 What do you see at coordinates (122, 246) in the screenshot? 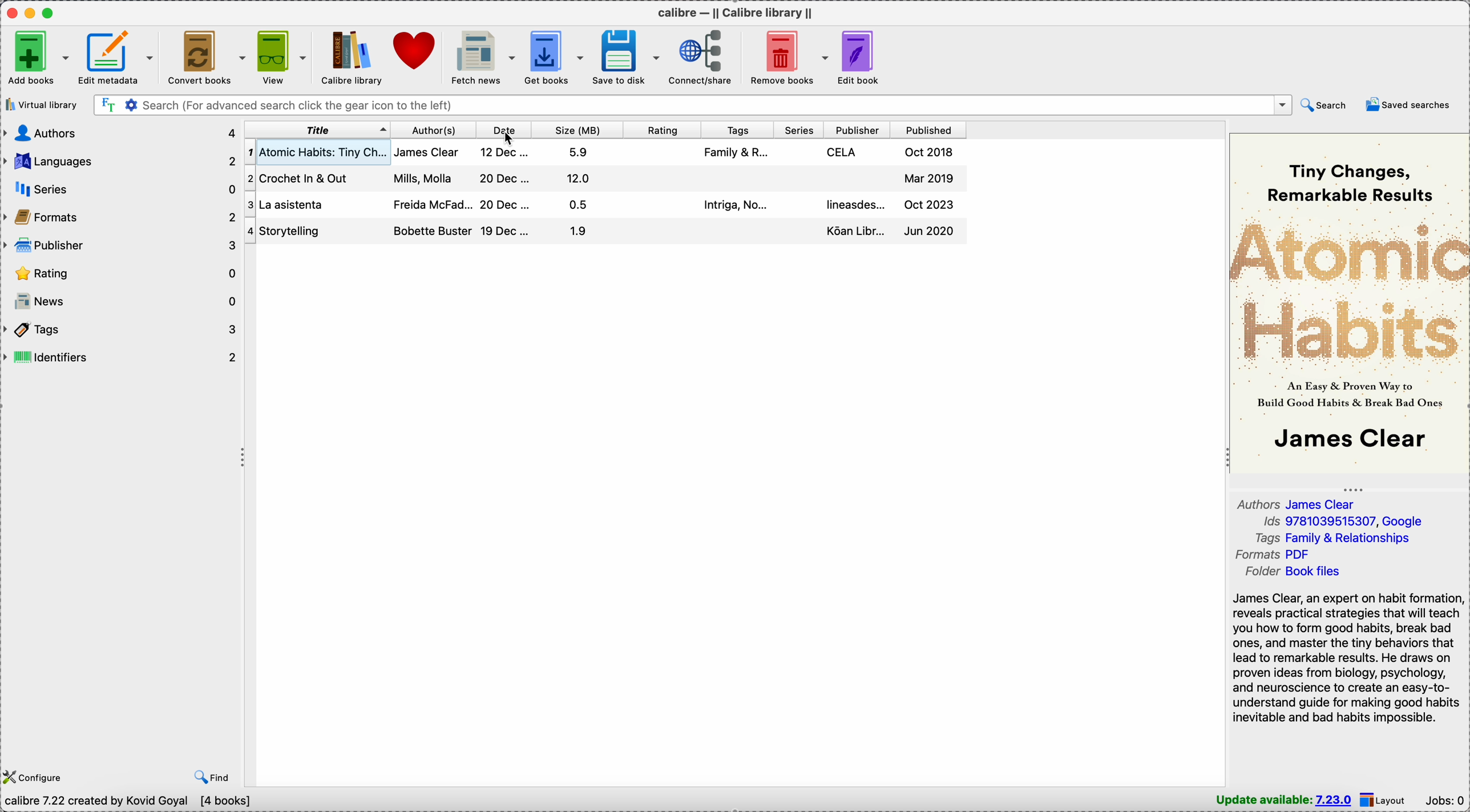
I see `publisher` at bounding box center [122, 246].